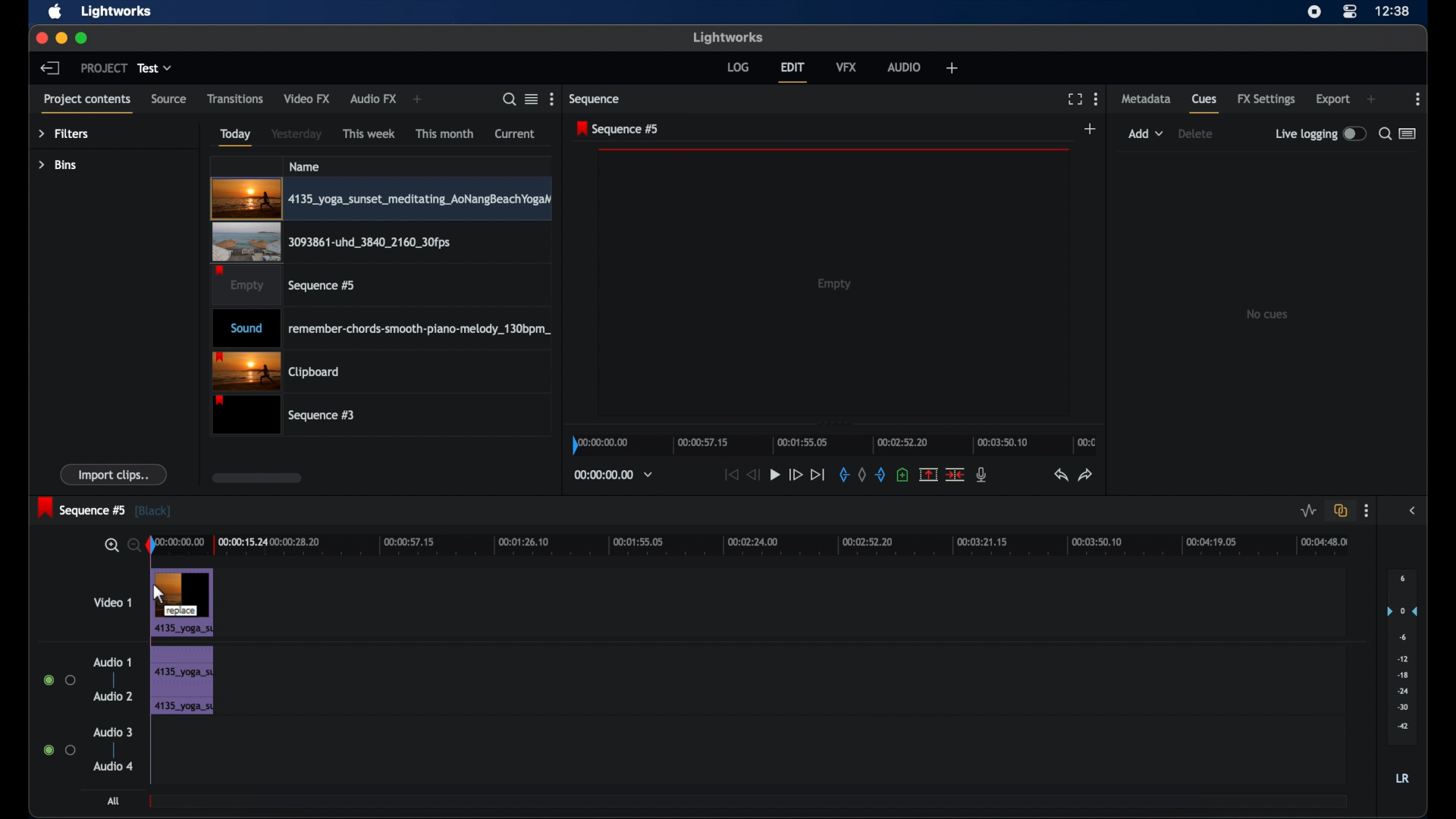 The height and width of the screenshot is (819, 1456). What do you see at coordinates (1367, 511) in the screenshot?
I see `more options` at bounding box center [1367, 511].